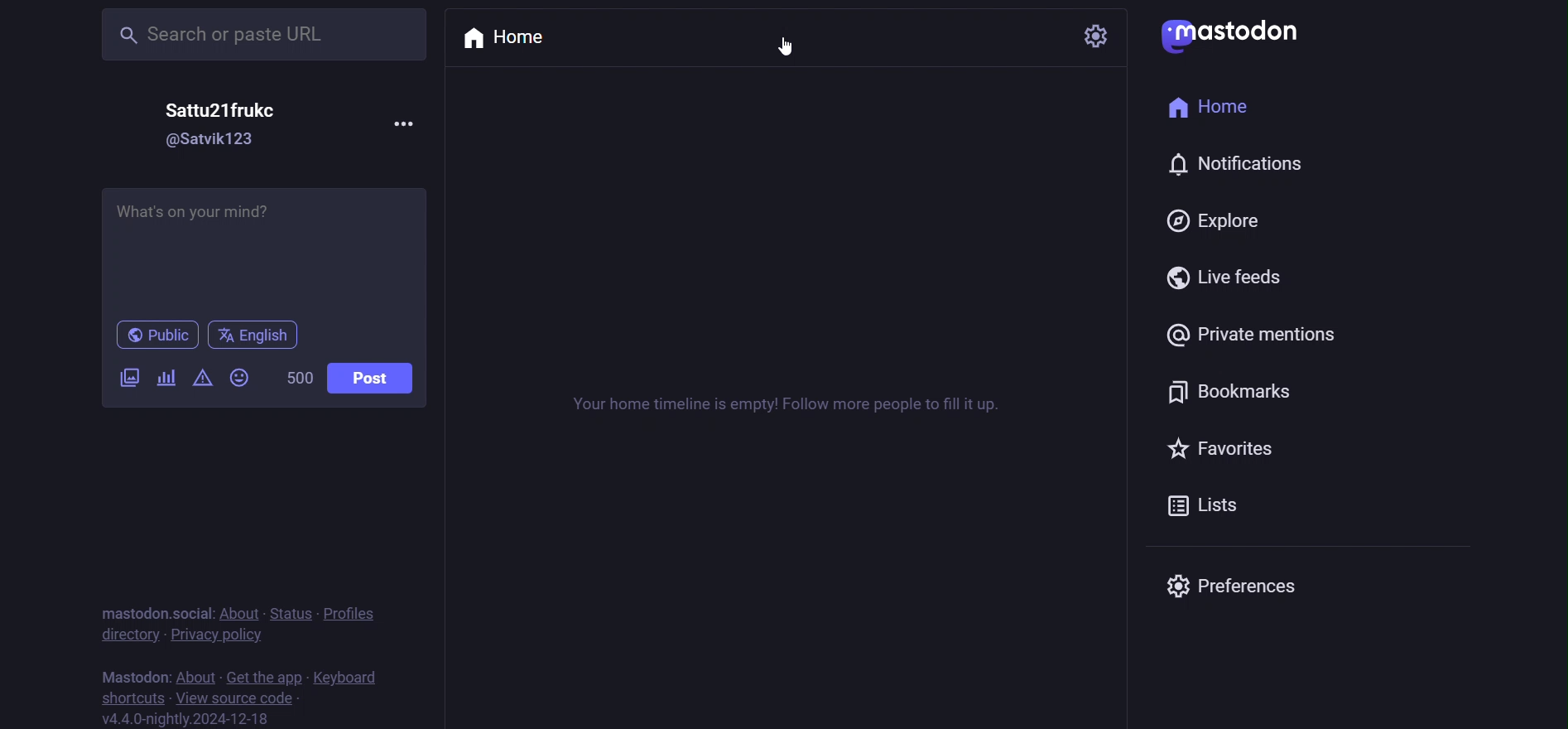 The height and width of the screenshot is (729, 1568). Describe the element at coordinates (374, 380) in the screenshot. I see `post` at that location.